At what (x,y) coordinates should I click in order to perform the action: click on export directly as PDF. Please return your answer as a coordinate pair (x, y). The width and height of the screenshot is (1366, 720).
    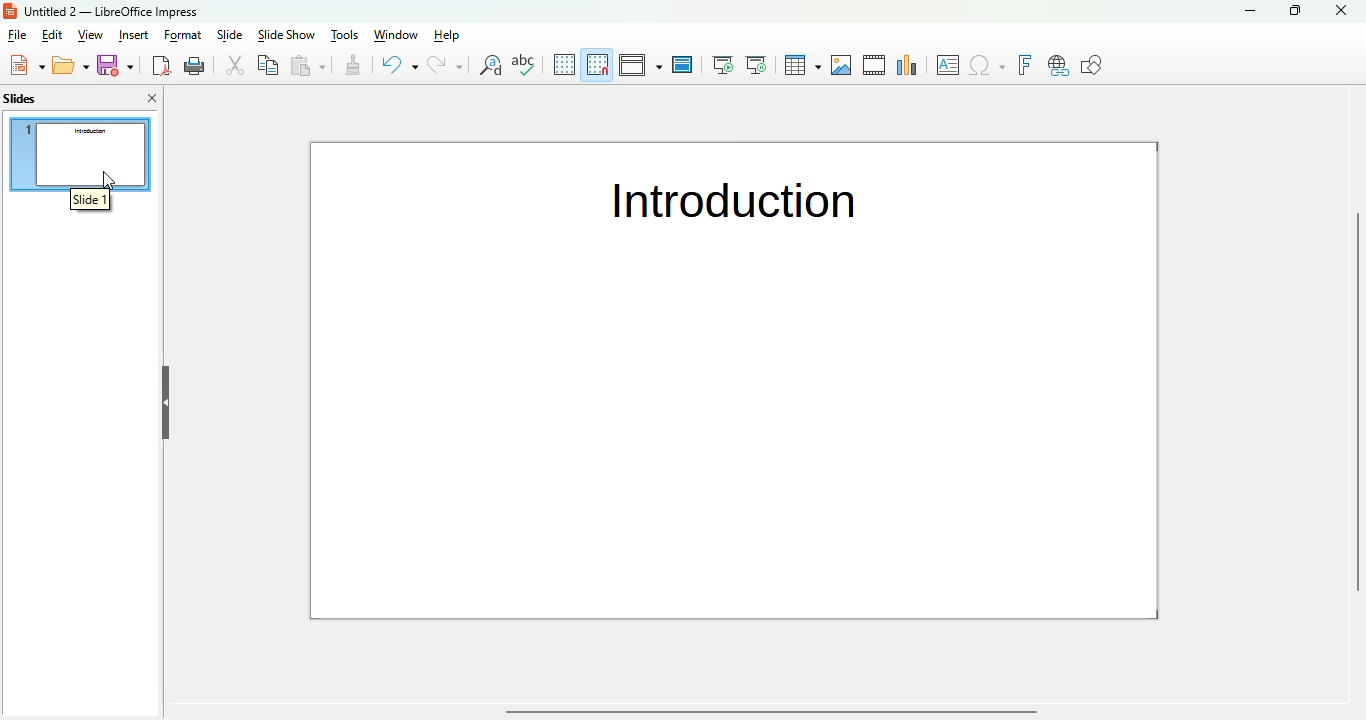
    Looking at the image, I should click on (161, 65).